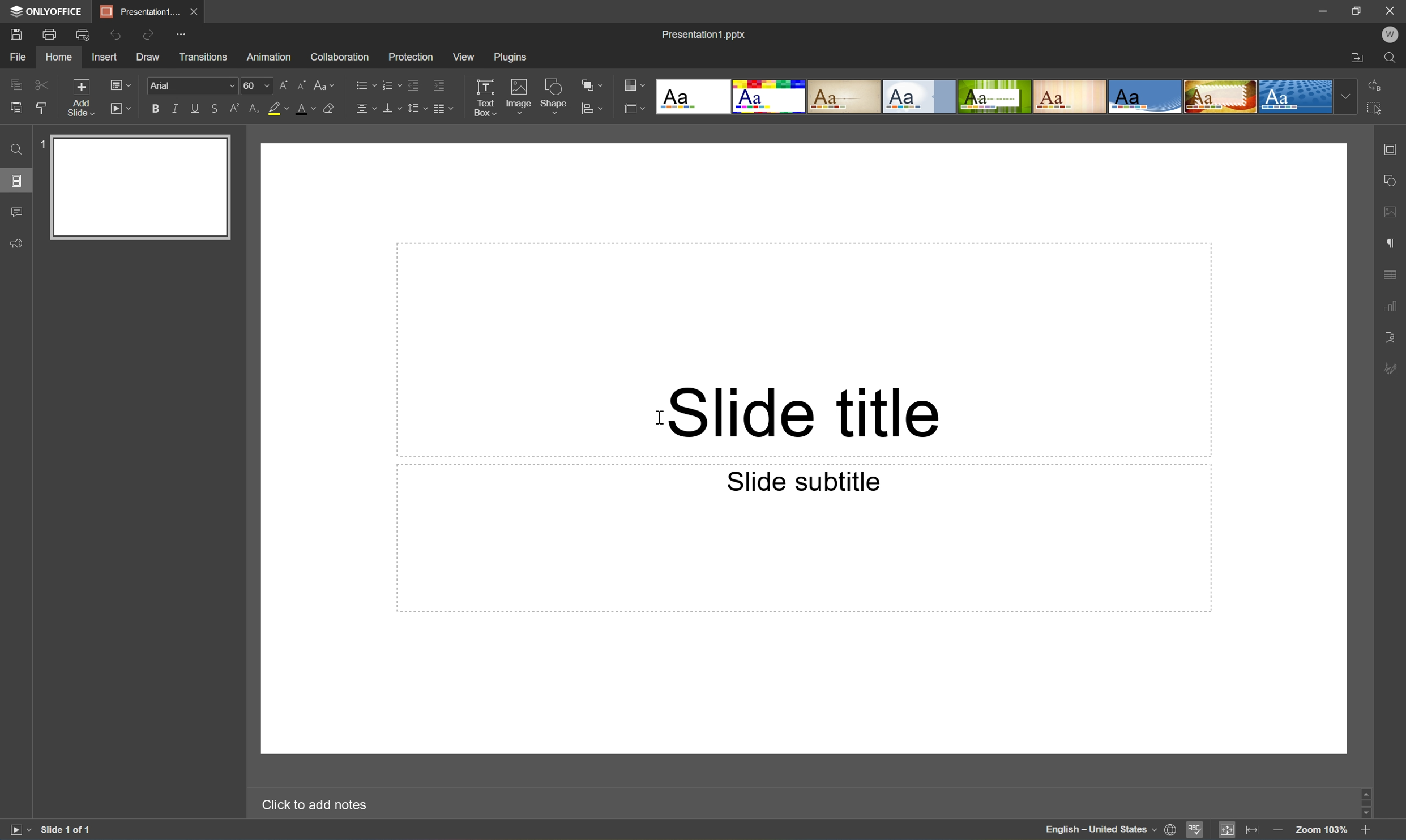 The image size is (1406, 840). I want to click on Horizontal align, so click(362, 109).